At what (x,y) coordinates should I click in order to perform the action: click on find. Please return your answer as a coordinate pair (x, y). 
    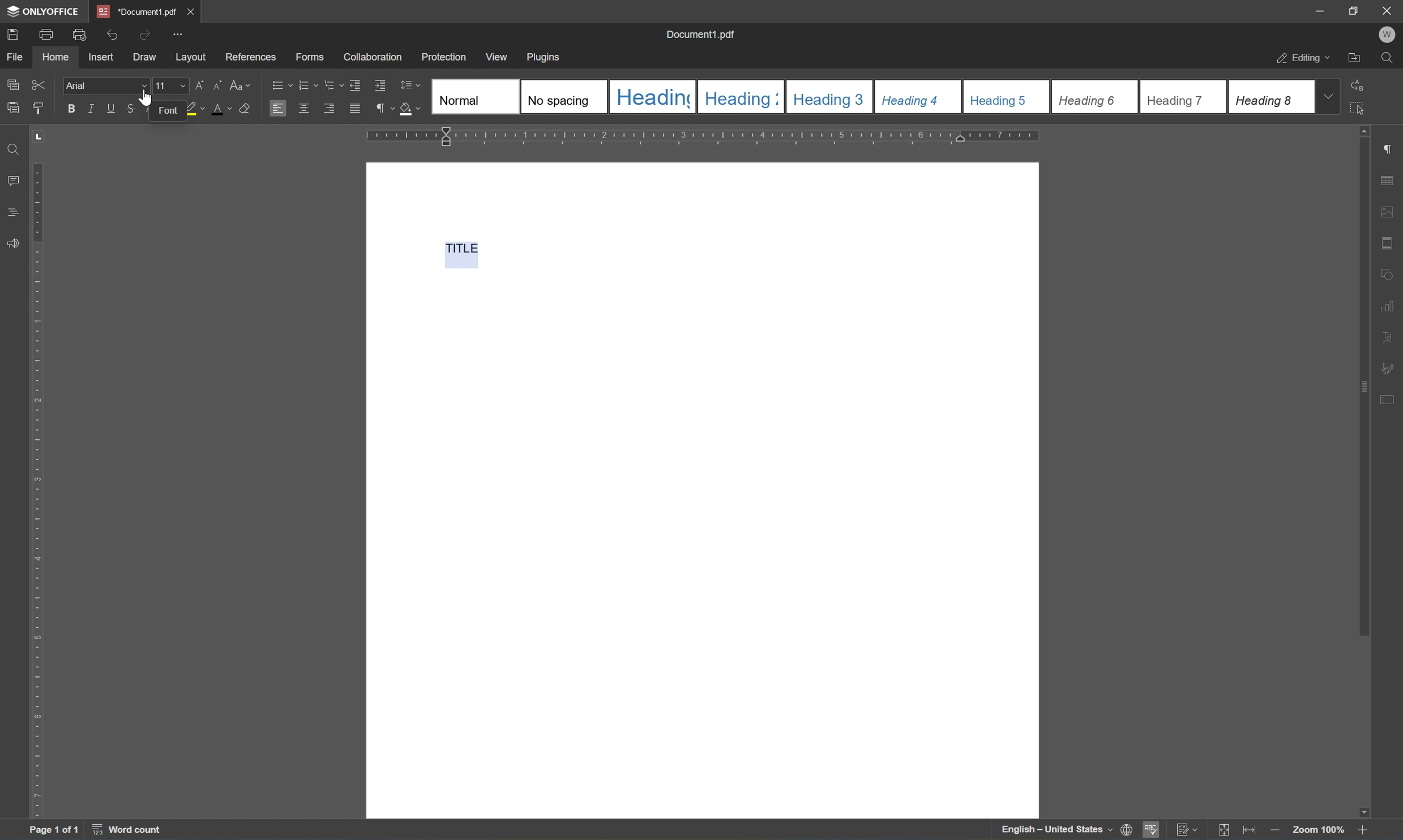
    Looking at the image, I should click on (1391, 57).